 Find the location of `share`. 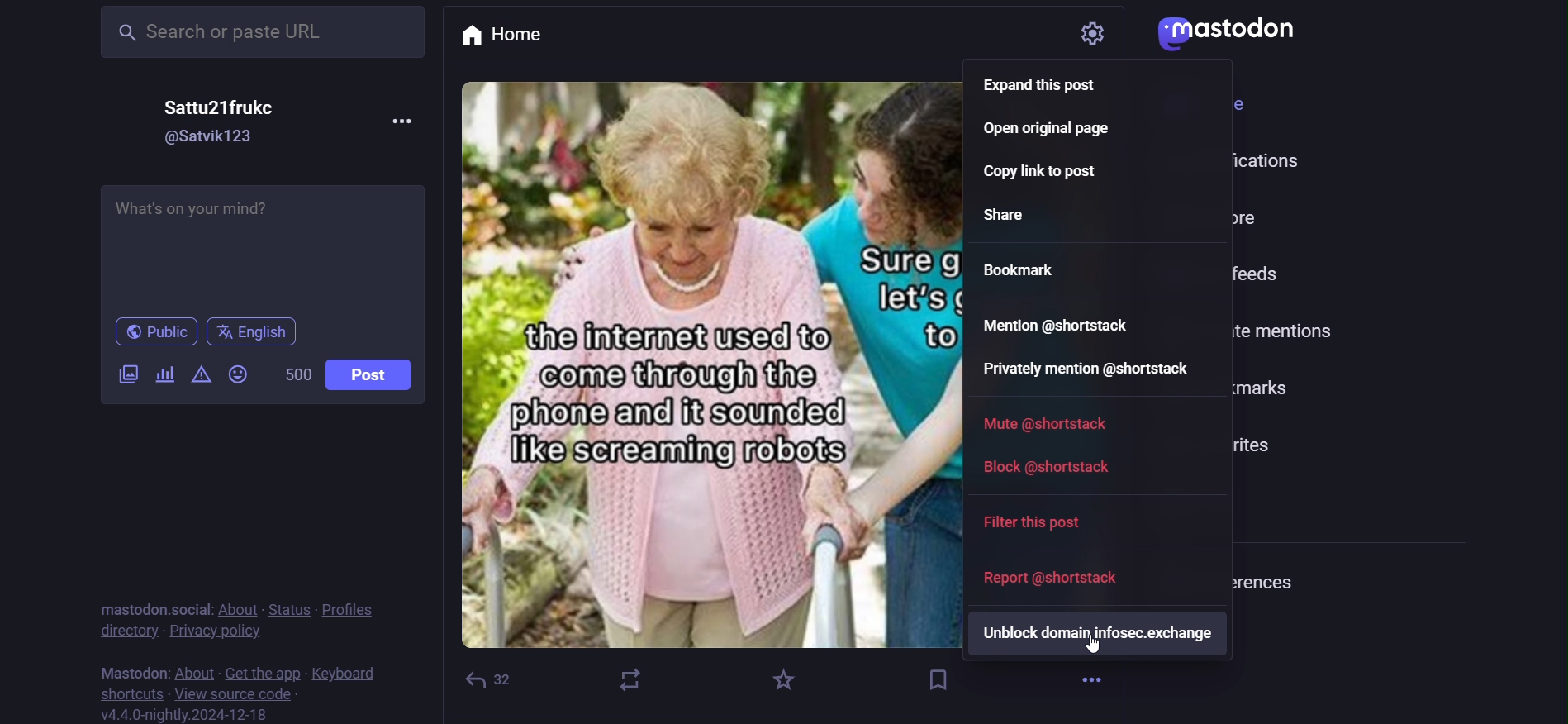

share is located at coordinates (1005, 217).